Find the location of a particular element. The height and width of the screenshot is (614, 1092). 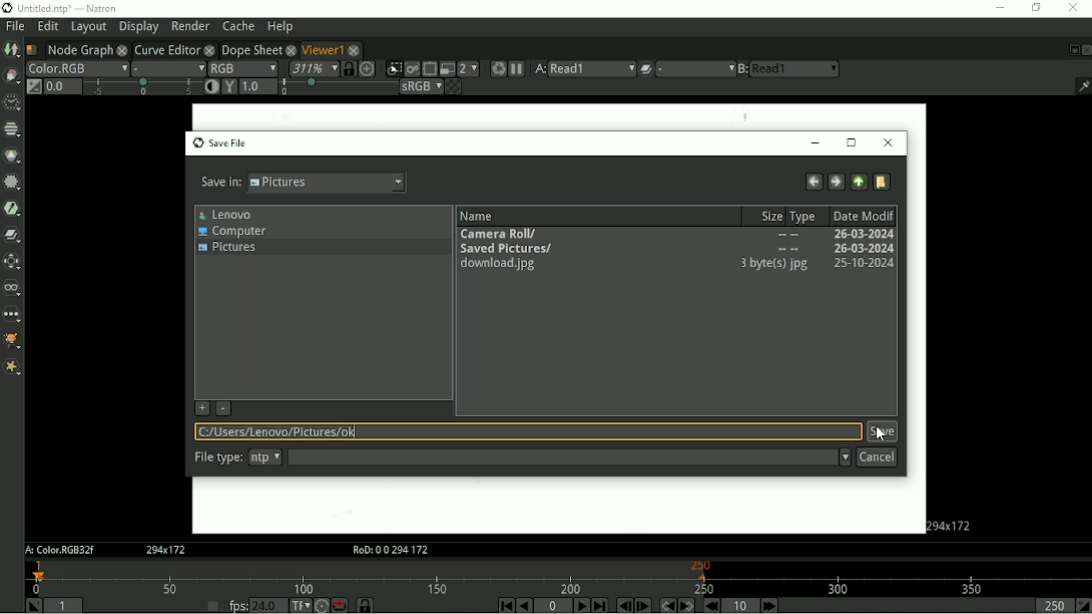

Computer is located at coordinates (233, 232).